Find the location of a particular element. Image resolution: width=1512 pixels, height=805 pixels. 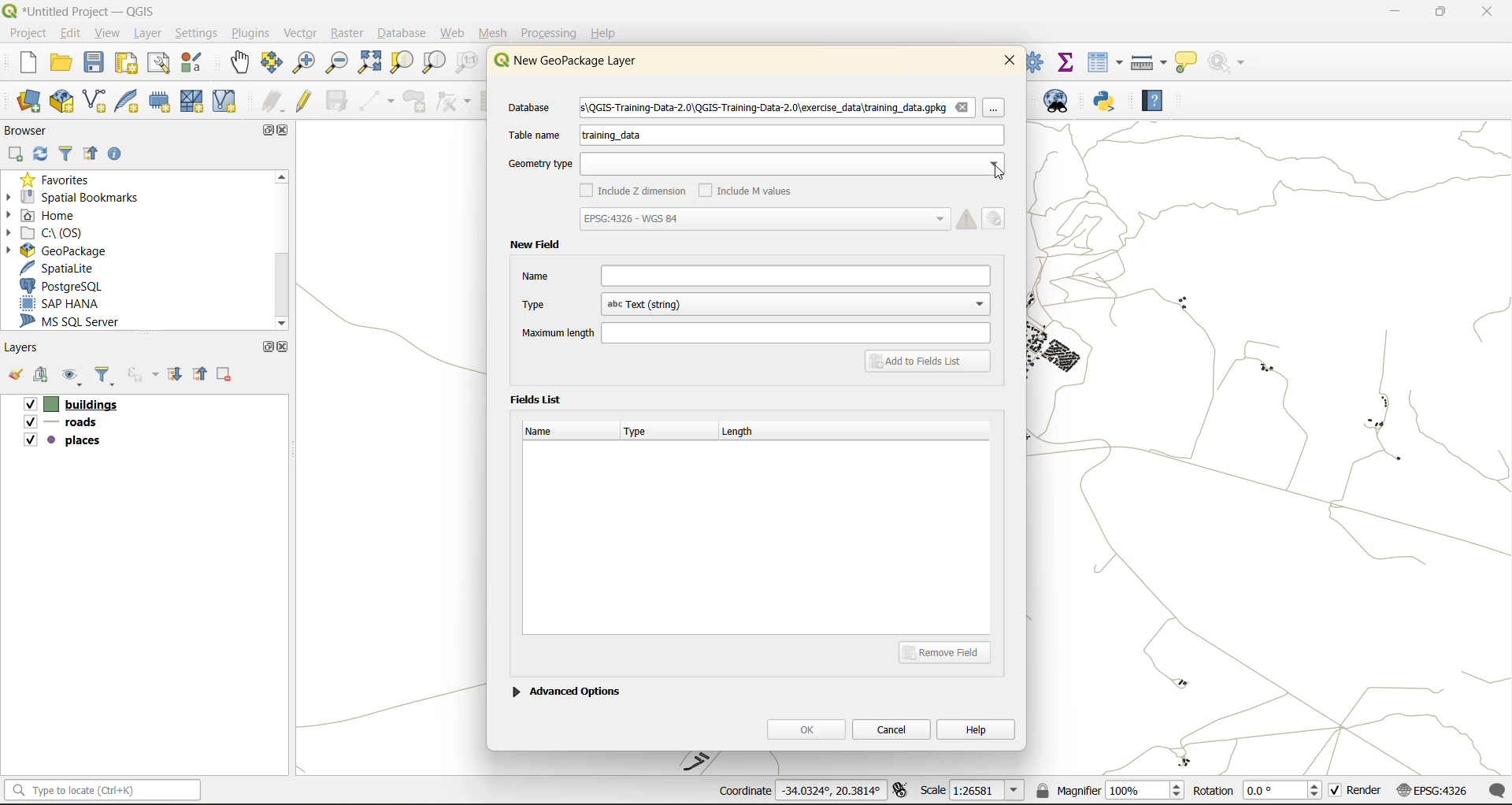

type is located at coordinates (643, 433).